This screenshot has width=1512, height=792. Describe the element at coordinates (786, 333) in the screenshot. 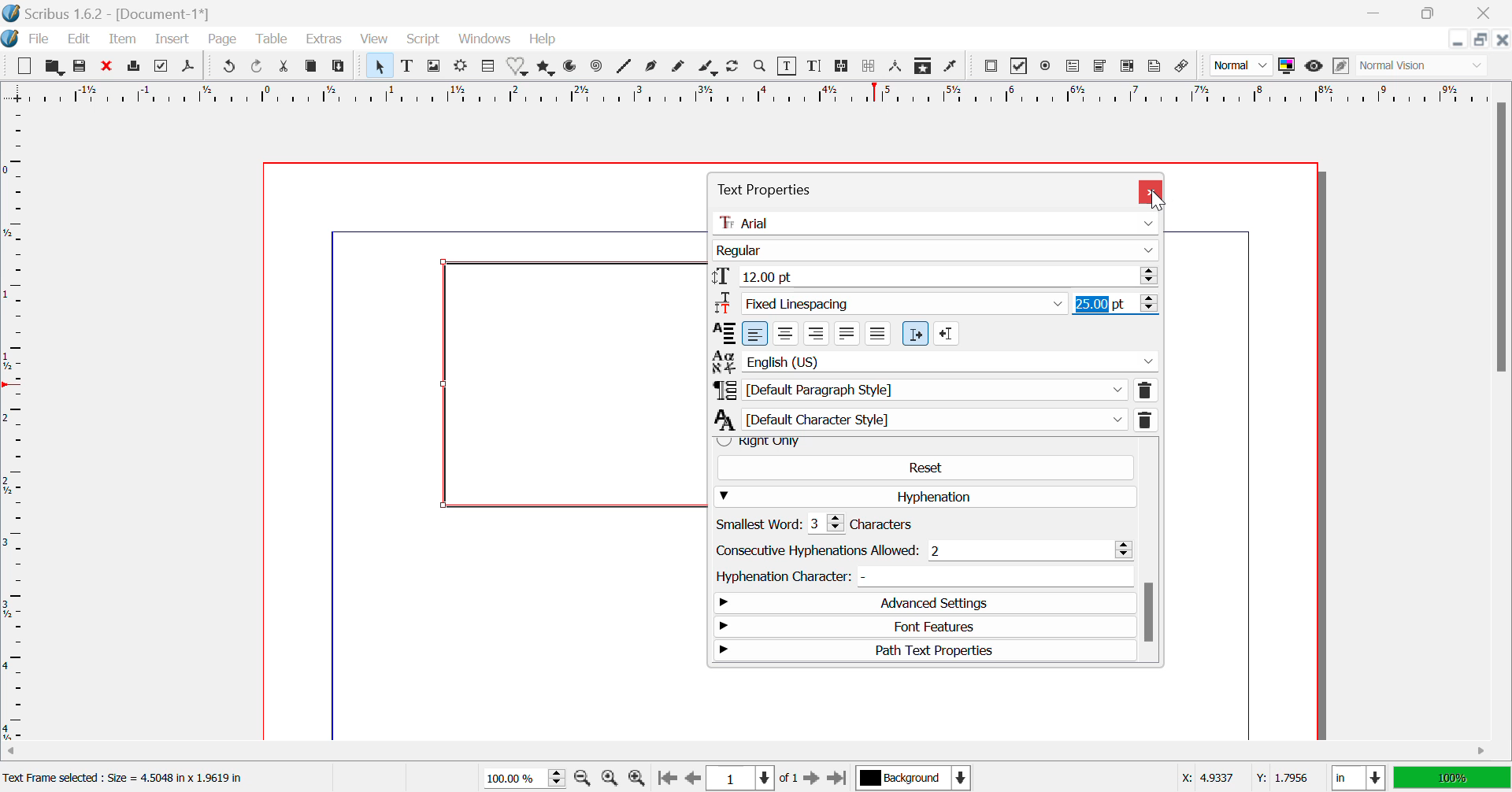

I see `Center align` at that location.